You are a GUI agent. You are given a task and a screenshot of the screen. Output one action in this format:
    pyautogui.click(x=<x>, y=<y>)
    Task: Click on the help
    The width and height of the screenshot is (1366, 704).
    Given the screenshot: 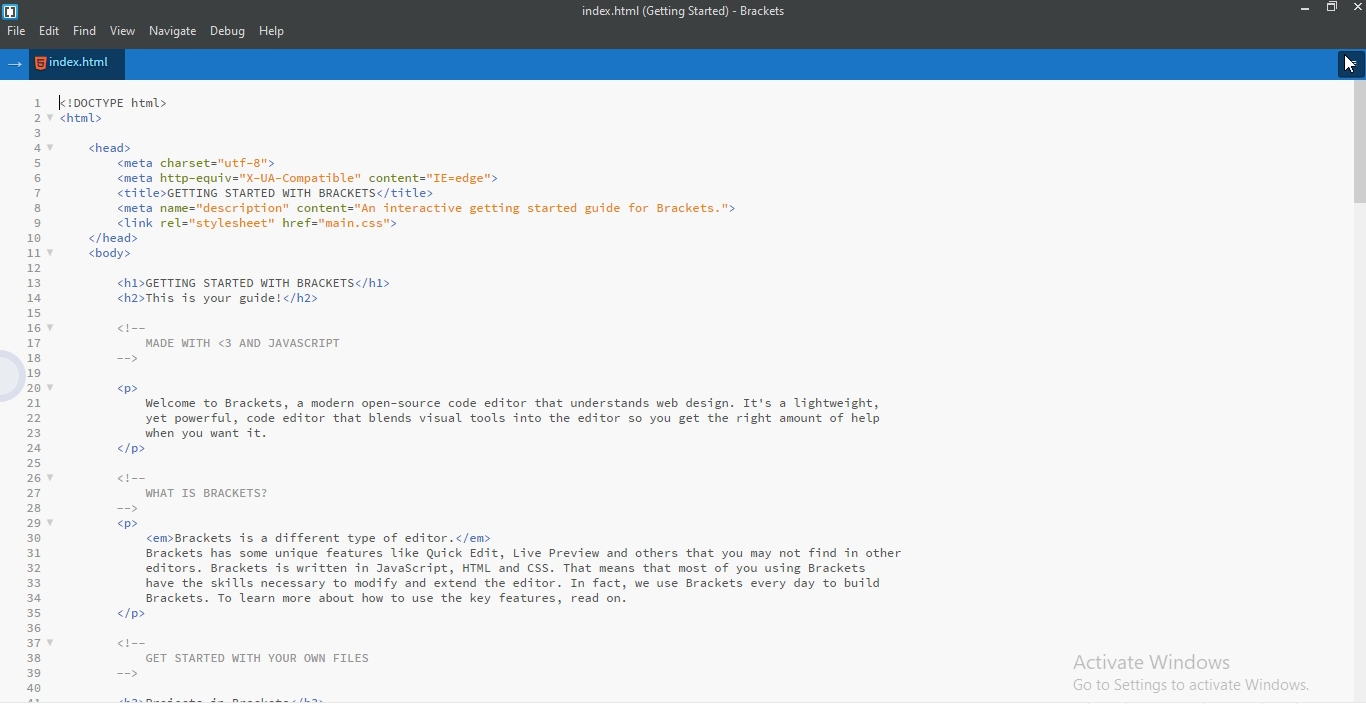 What is the action you would take?
    pyautogui.click(x=273, y=32)
    